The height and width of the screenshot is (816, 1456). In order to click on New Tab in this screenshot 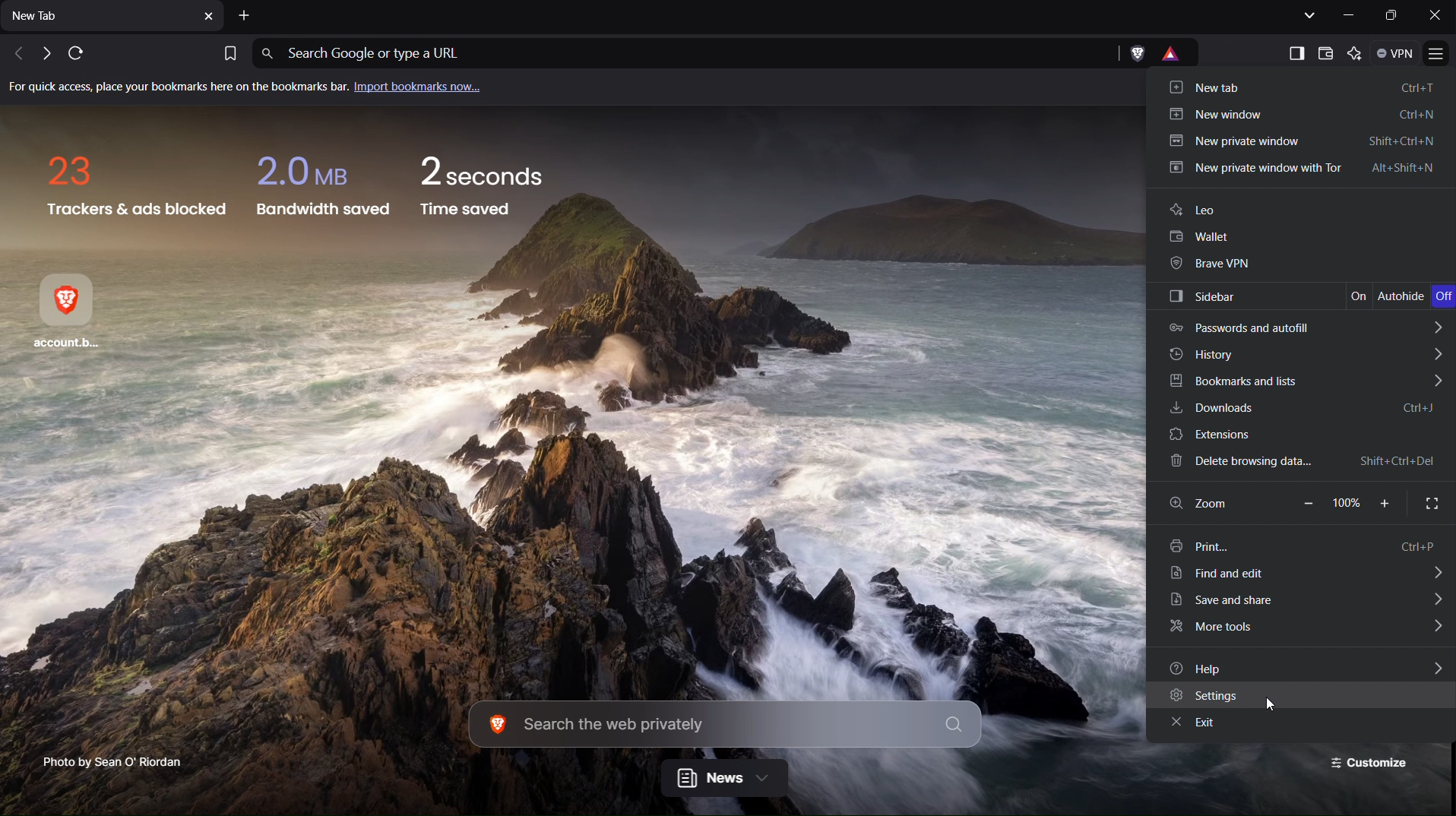, I will do `click(1293, 87)`.